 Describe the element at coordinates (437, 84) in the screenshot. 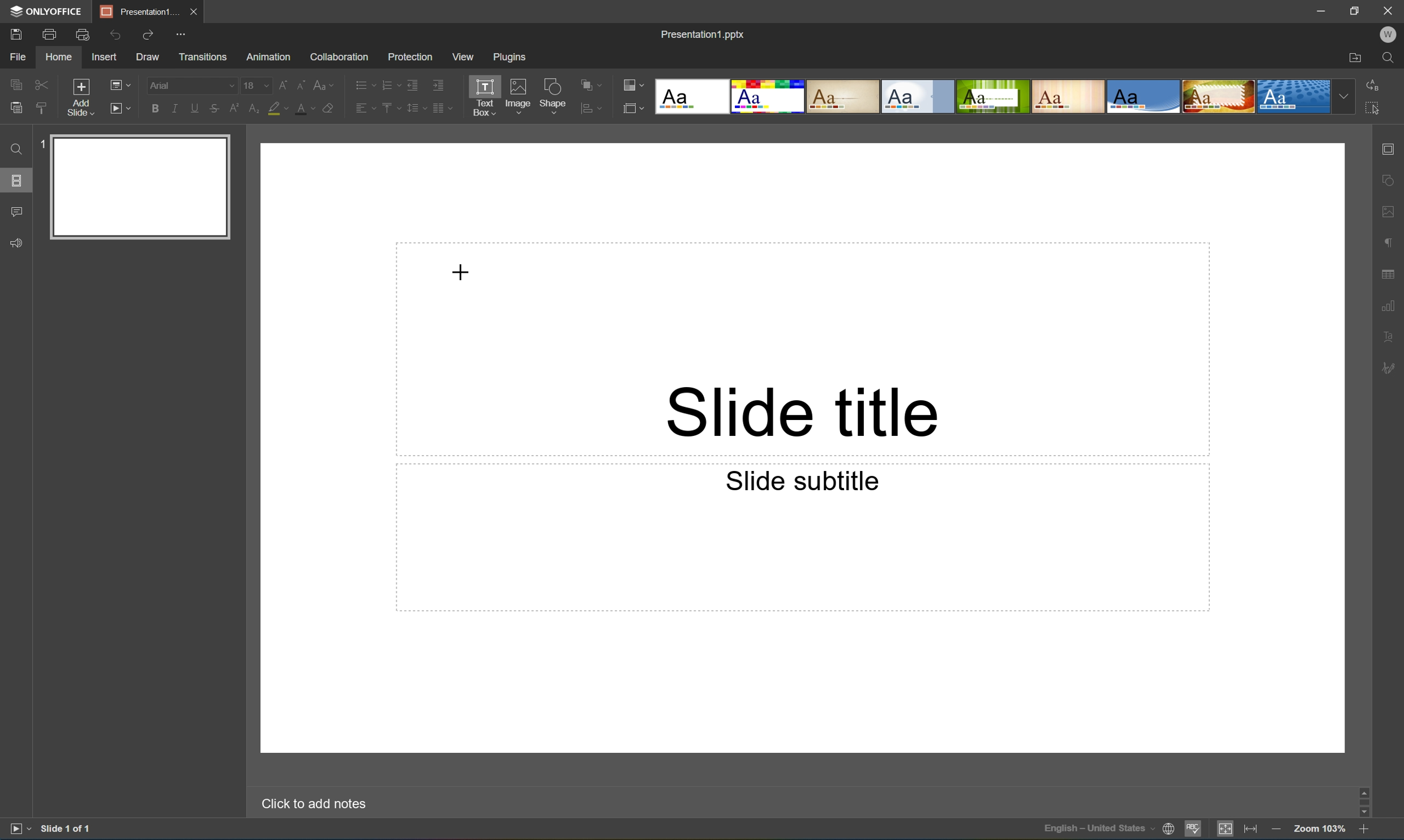

I see `Increase indent` at that location.